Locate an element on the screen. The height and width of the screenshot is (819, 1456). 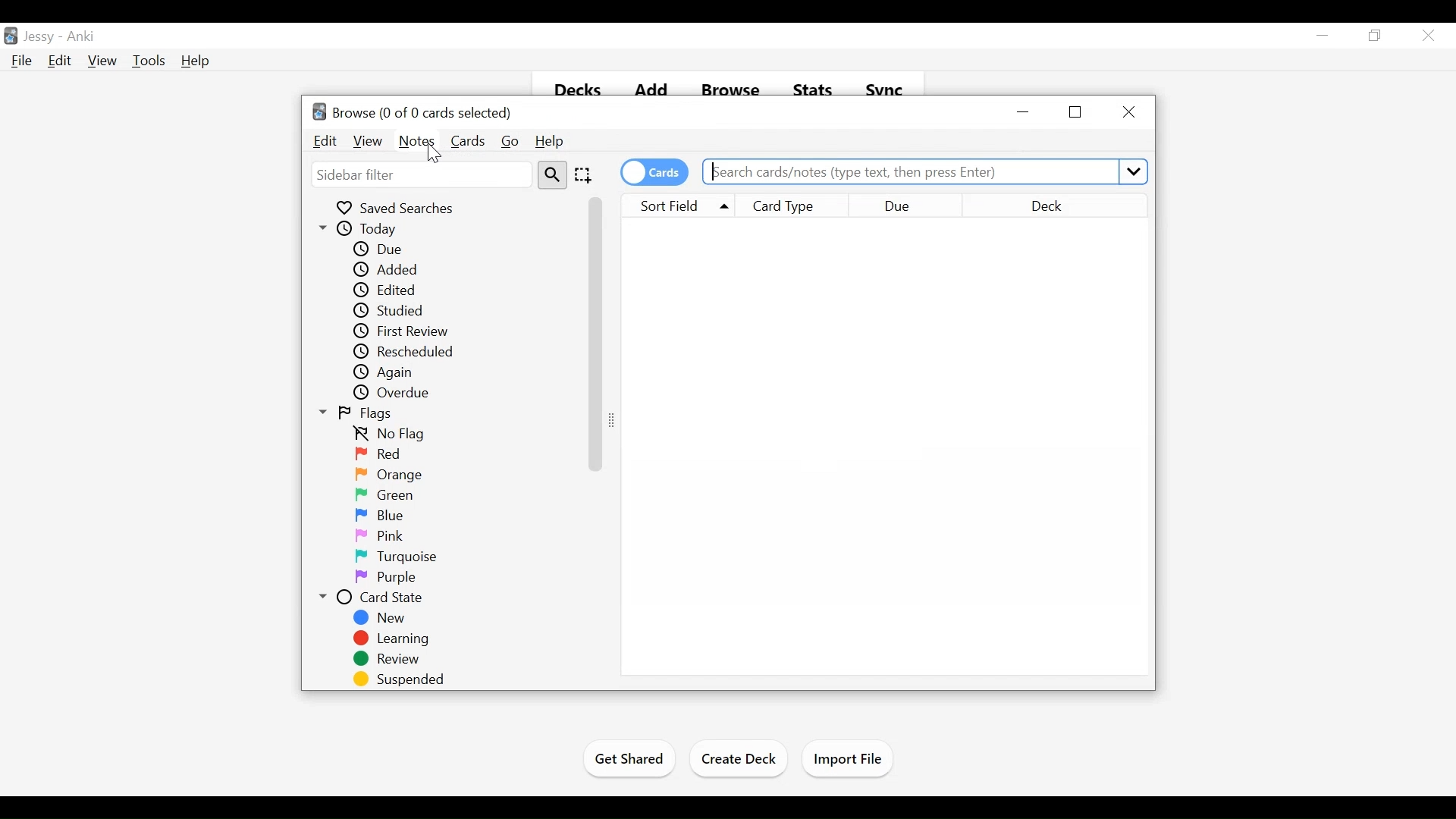
Added is located at coordinates (386, 270).